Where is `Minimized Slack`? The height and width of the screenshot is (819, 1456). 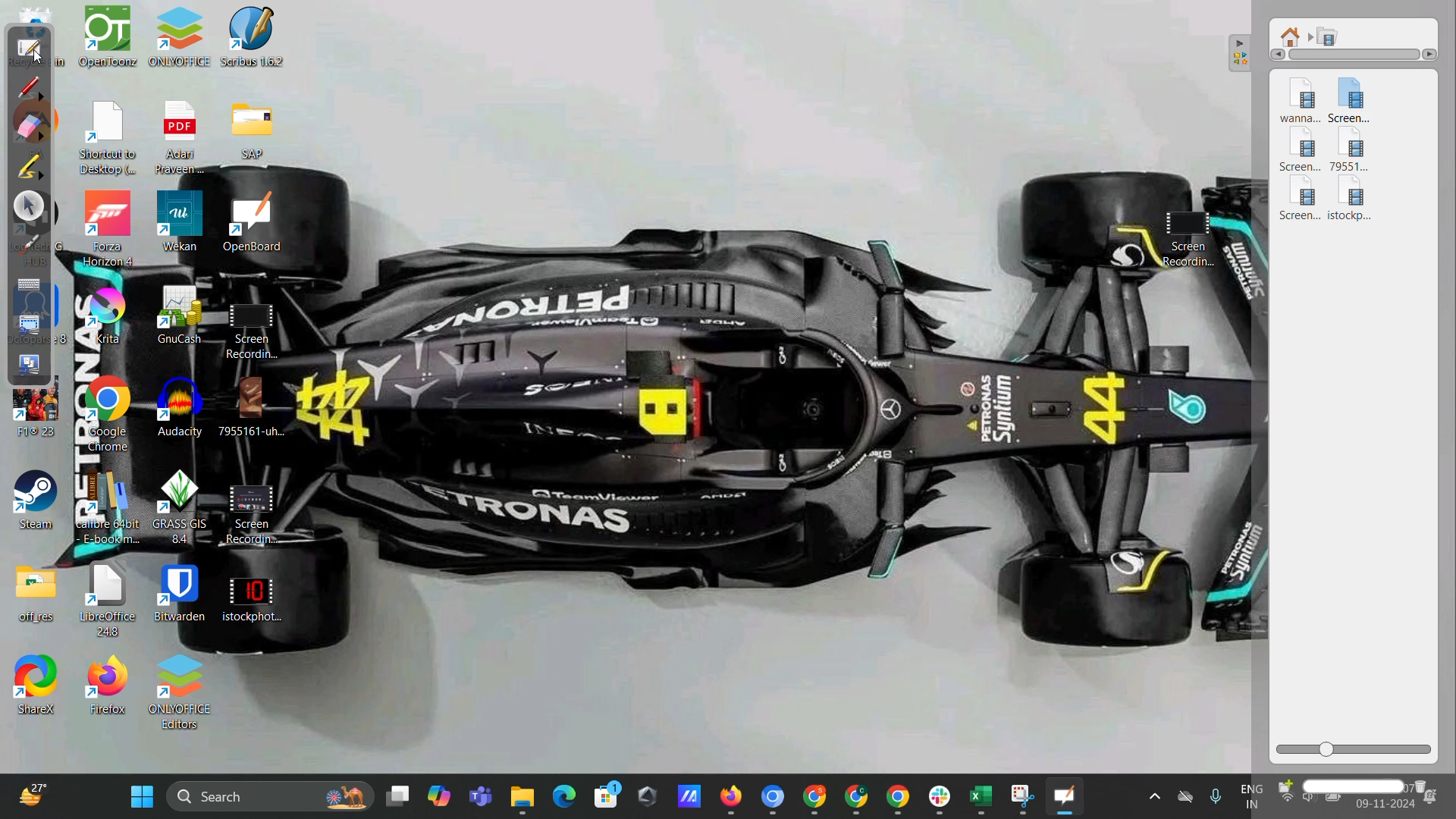
Minimized Slack is located at coordinates (941, 798).